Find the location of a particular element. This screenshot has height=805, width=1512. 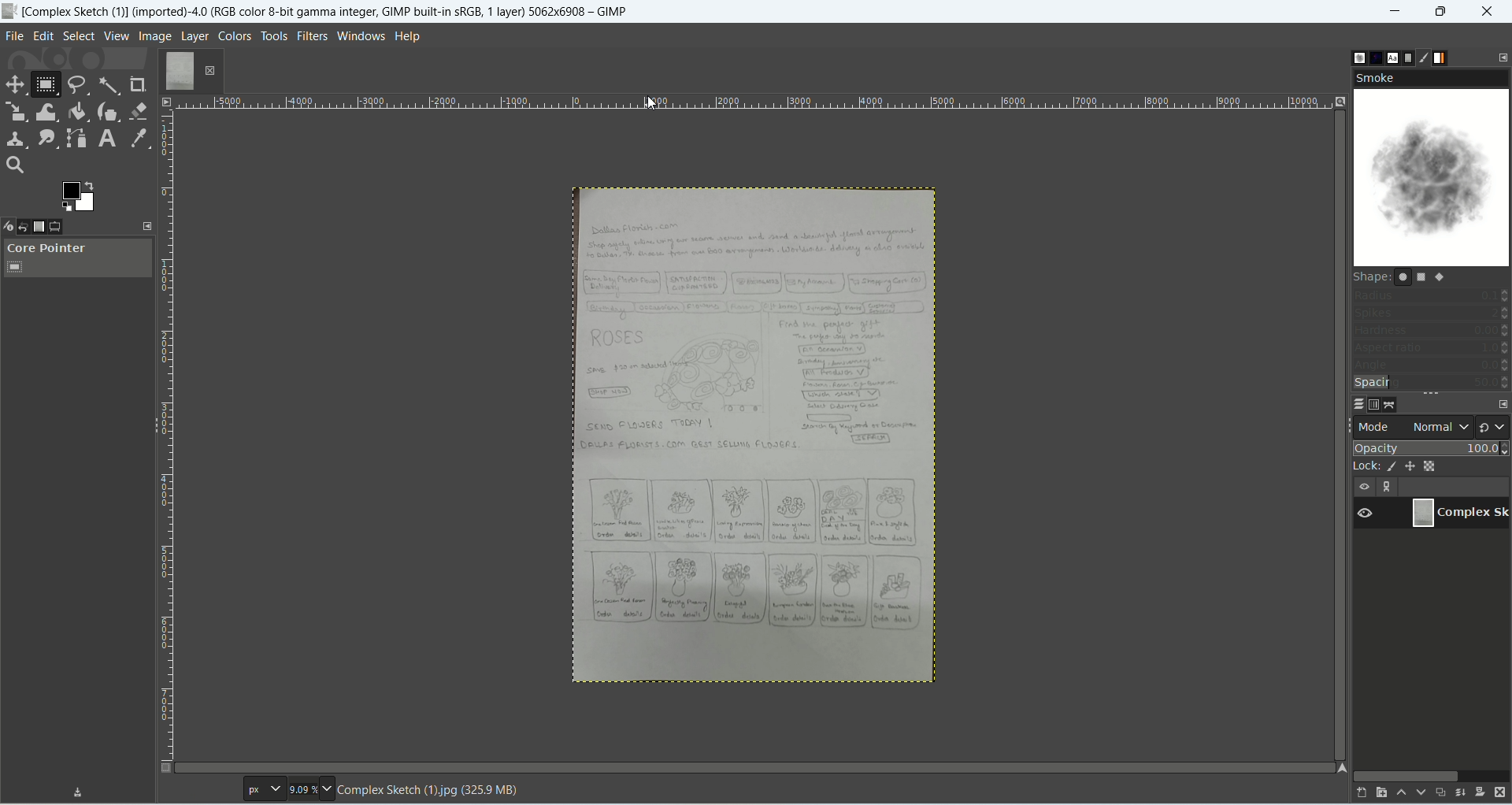

channels is located at coordinates (1377, 404).